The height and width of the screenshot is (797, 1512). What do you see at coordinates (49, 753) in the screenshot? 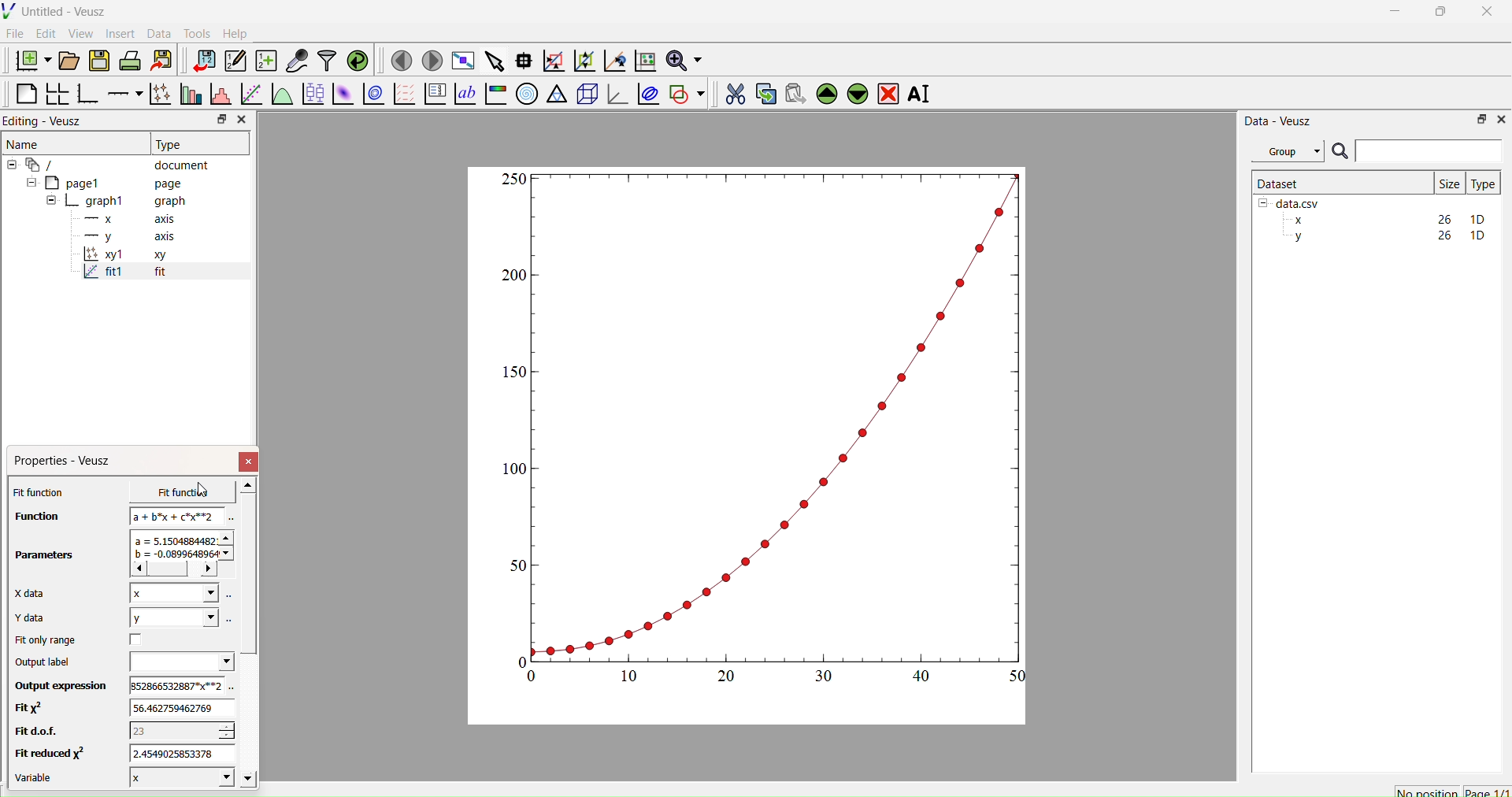
I see `Fit reduced x^2` at bounding box center [49, 753].